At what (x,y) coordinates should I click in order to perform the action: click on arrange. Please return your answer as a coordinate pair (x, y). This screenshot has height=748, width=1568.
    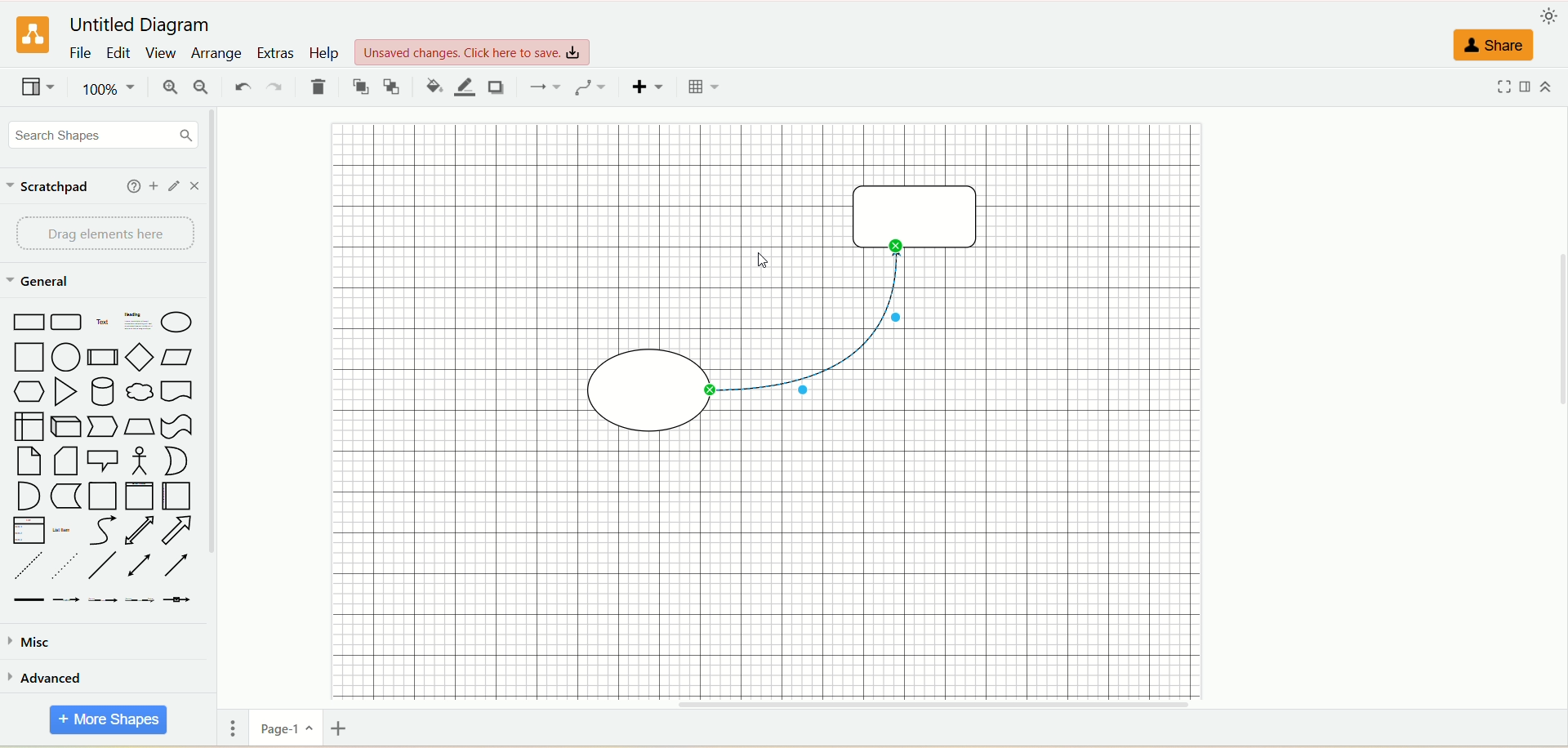
    Looking at the image, I should click on (214, 52).